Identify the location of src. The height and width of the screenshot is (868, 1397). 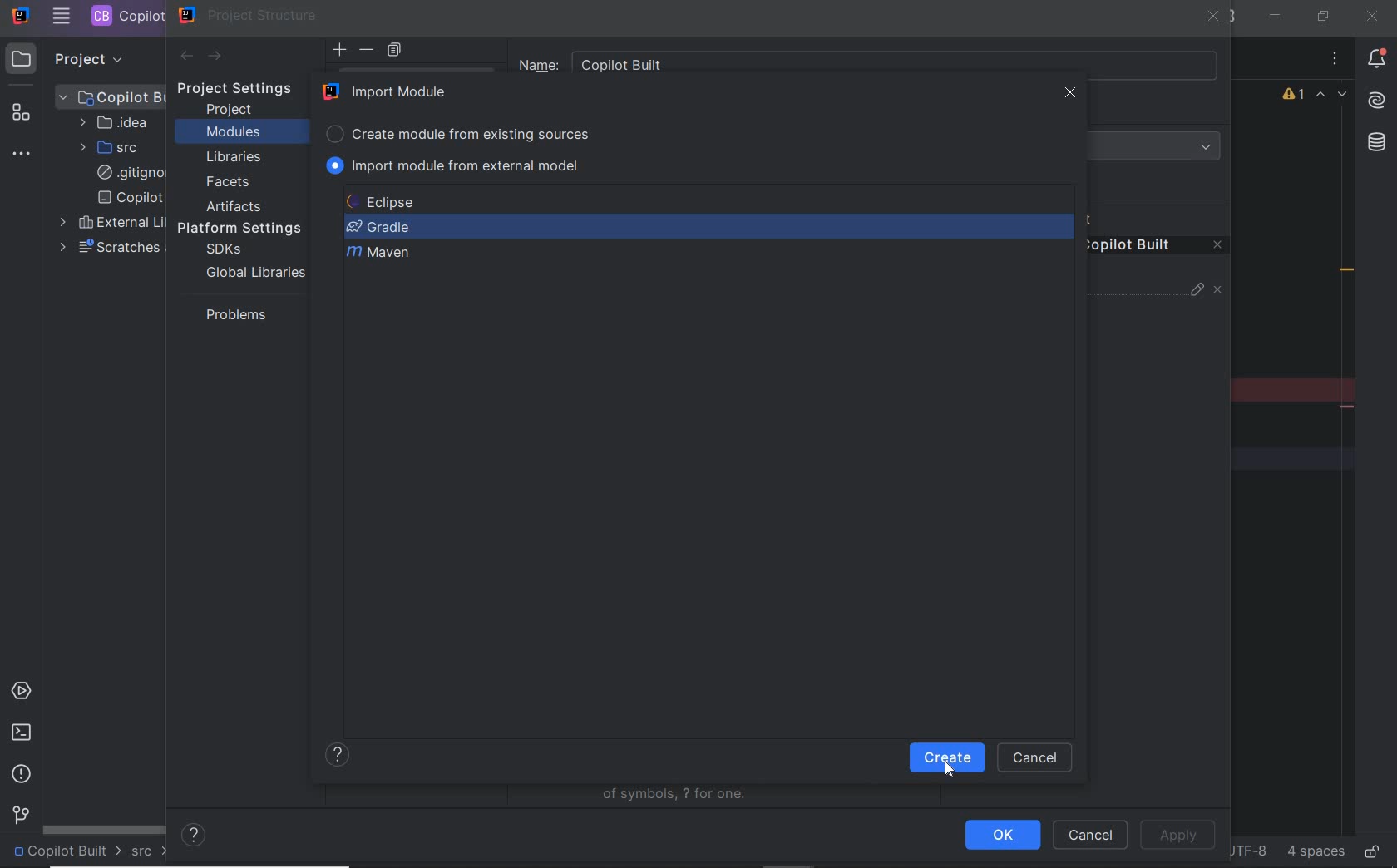
(151, 852).